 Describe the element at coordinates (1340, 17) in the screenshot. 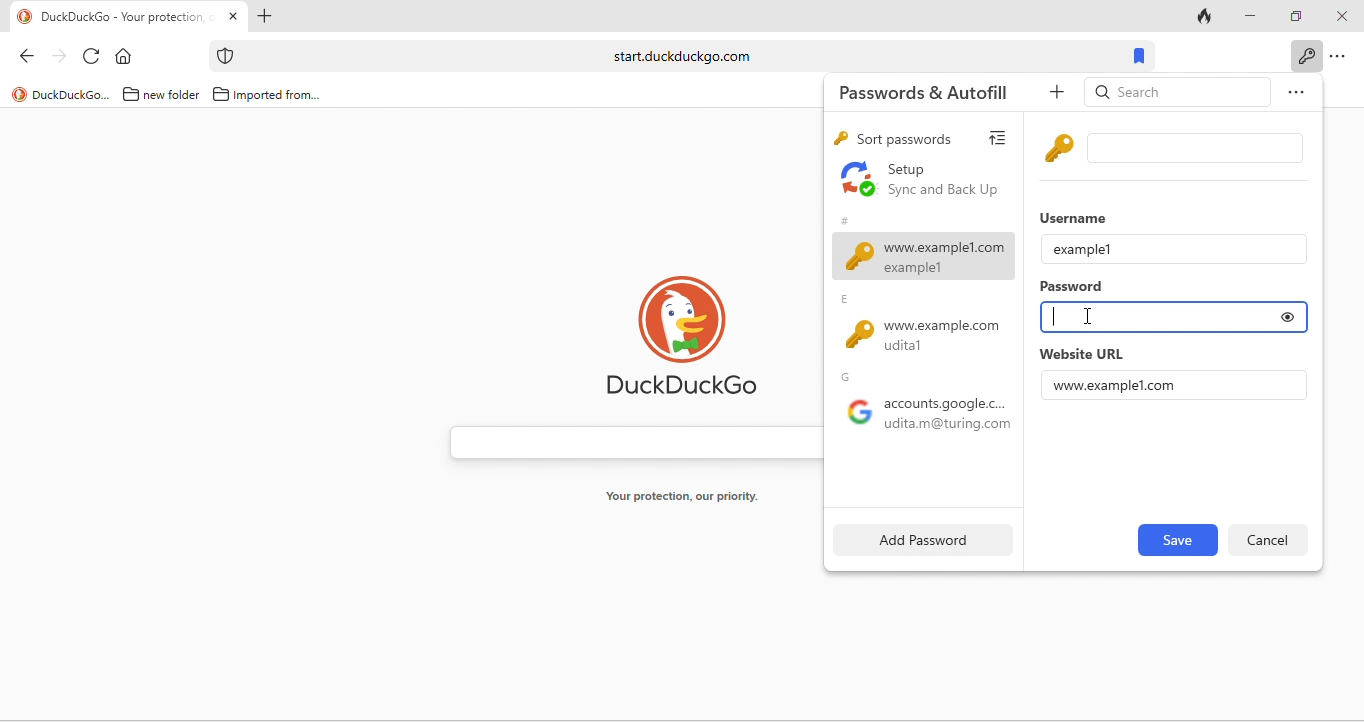

I see `close` at that location.